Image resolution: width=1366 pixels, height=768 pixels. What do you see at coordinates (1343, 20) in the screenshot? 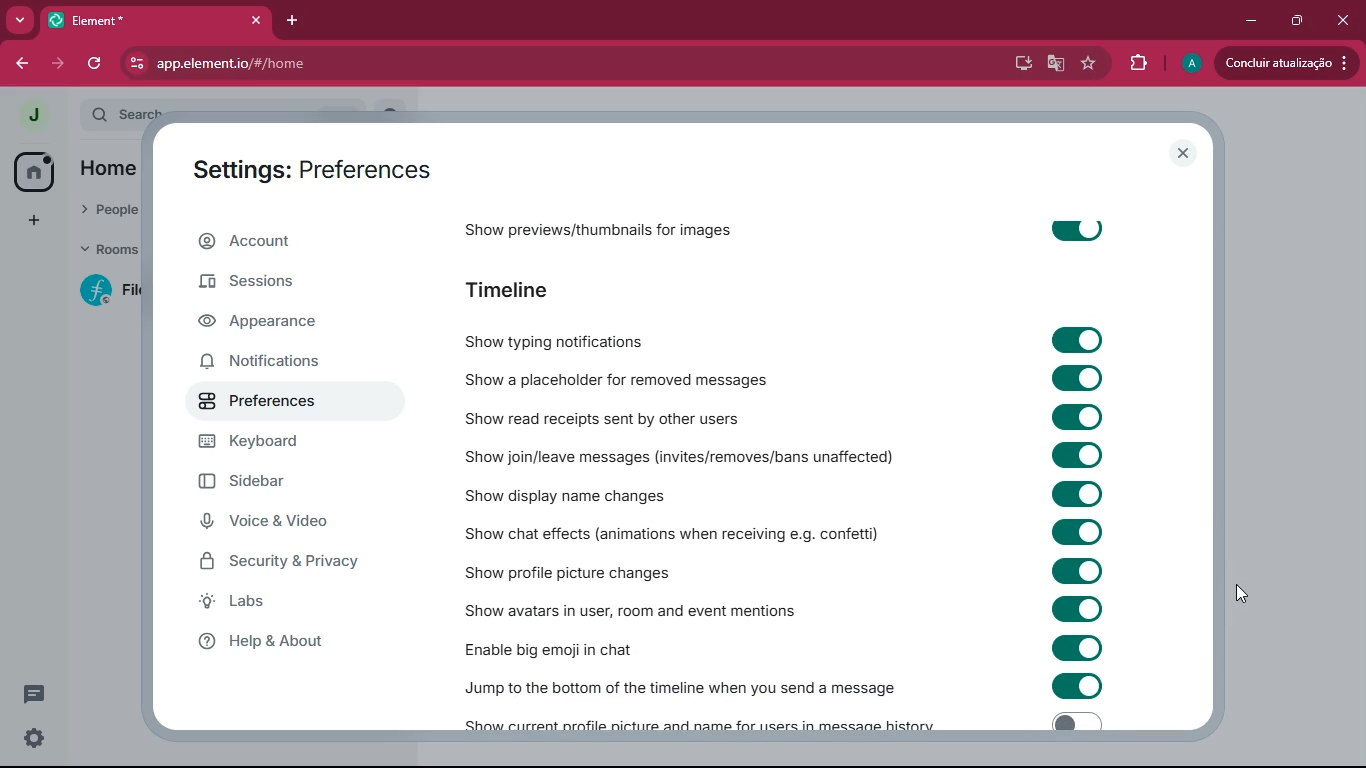
I see `close` at bounding box center [1343, 20].